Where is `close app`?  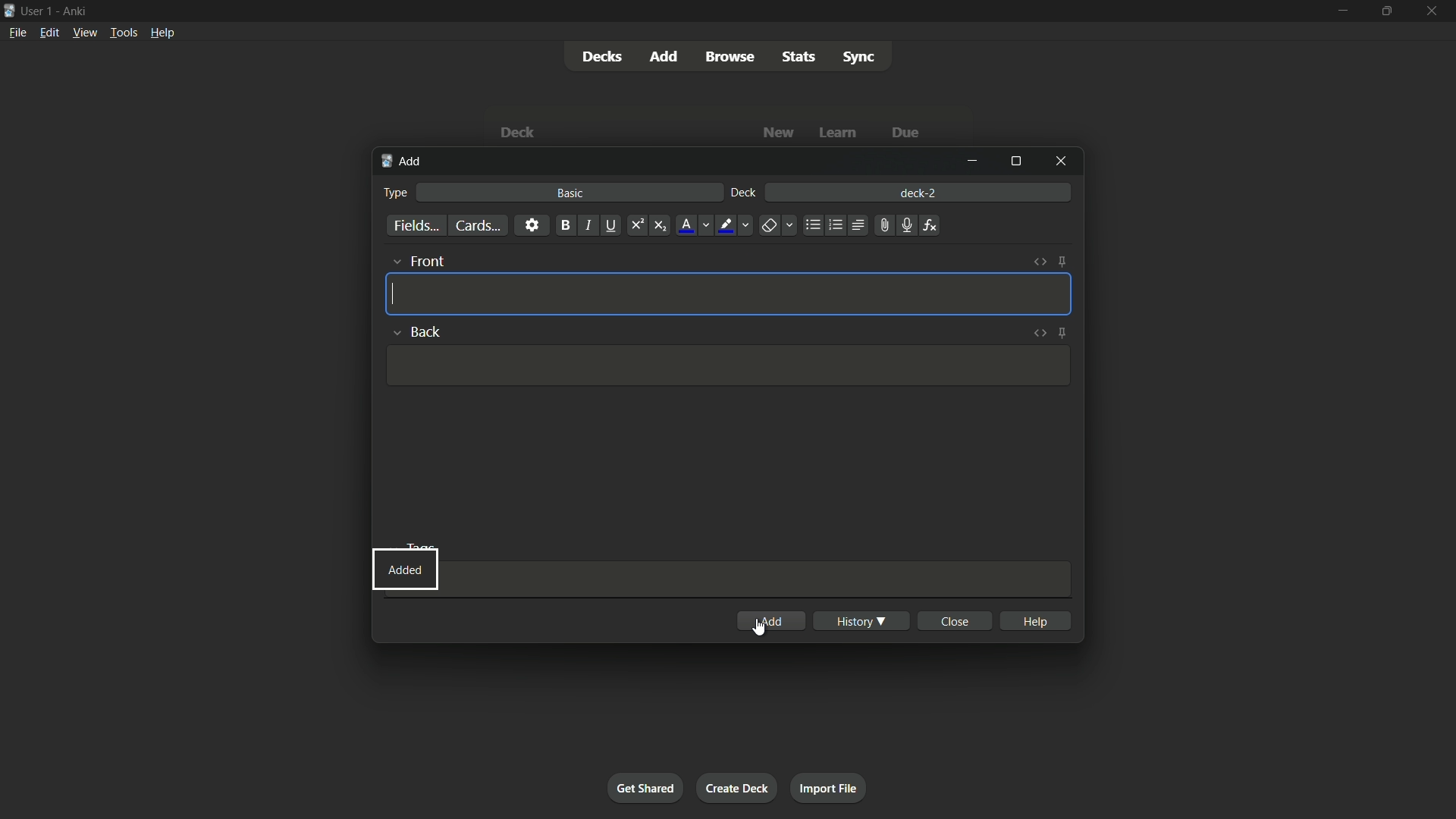
close app is located at coordinates (1432, 11).